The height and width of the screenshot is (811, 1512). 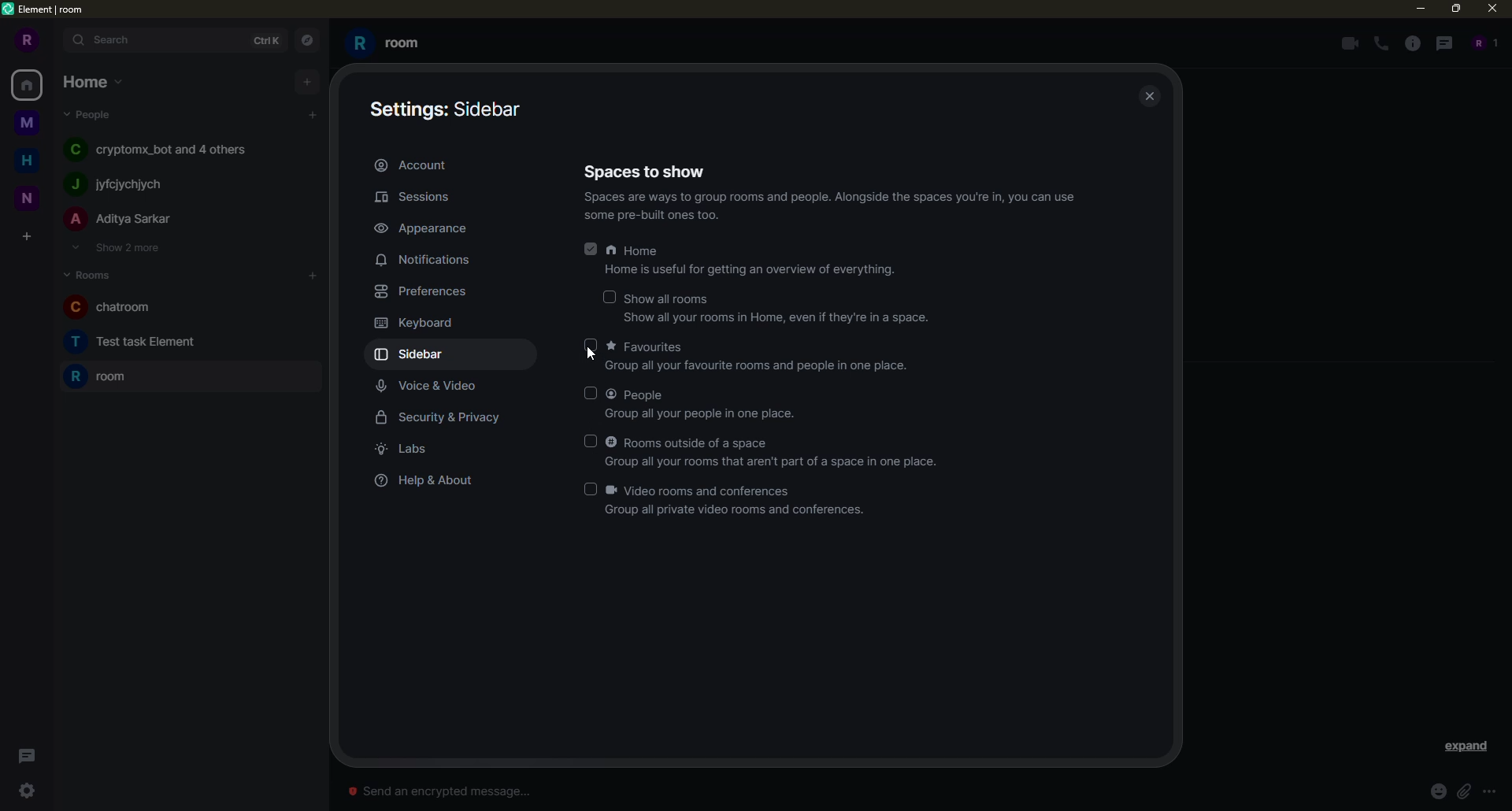 What do you see at coordinates (733, 273) in the screenshot?
I see `Home is useful for getting an overview of everything.` at bounding box center [733, 273].